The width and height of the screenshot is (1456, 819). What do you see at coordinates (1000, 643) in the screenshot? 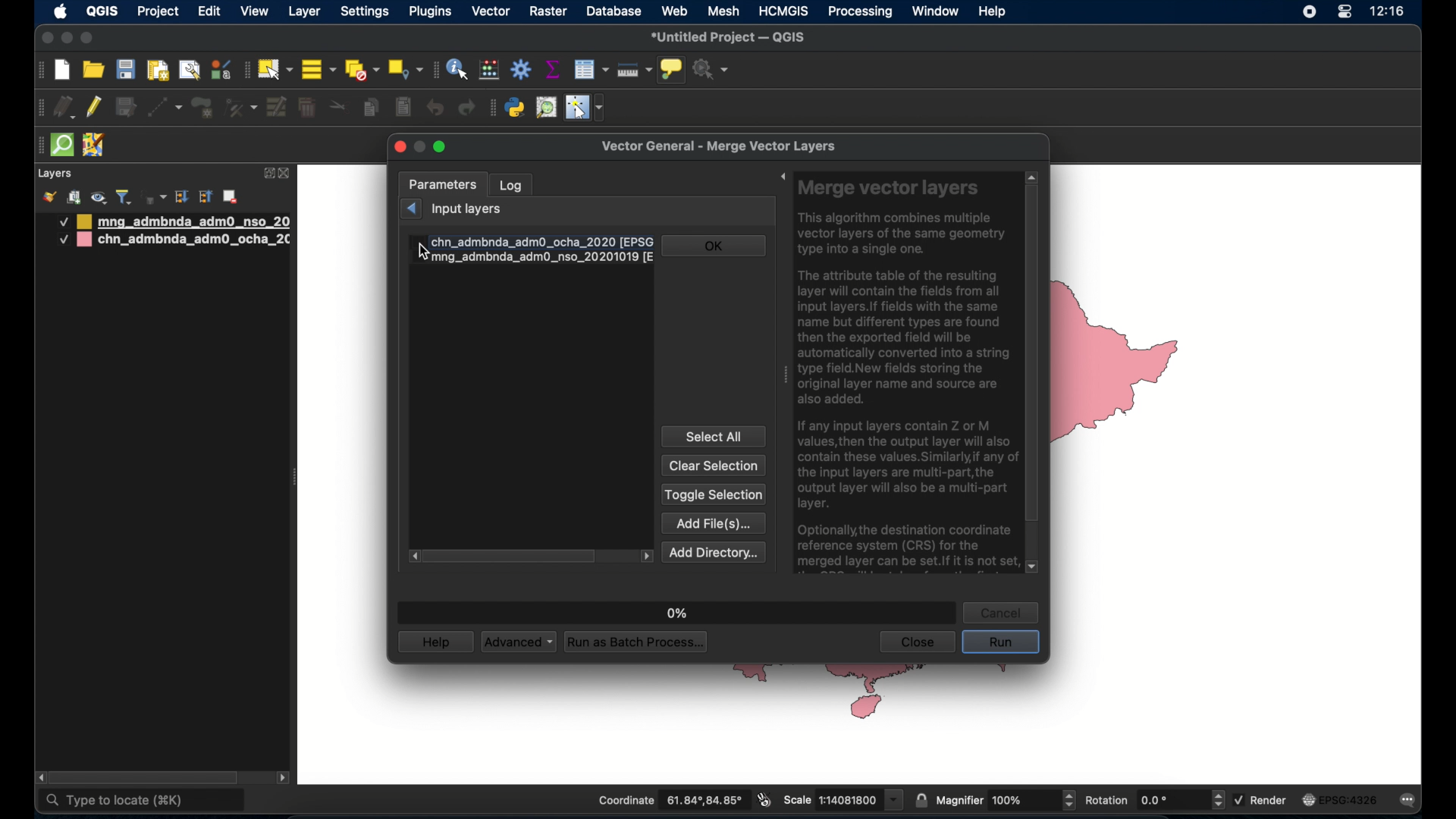
I see `run` at bounding box center [1000, 643].